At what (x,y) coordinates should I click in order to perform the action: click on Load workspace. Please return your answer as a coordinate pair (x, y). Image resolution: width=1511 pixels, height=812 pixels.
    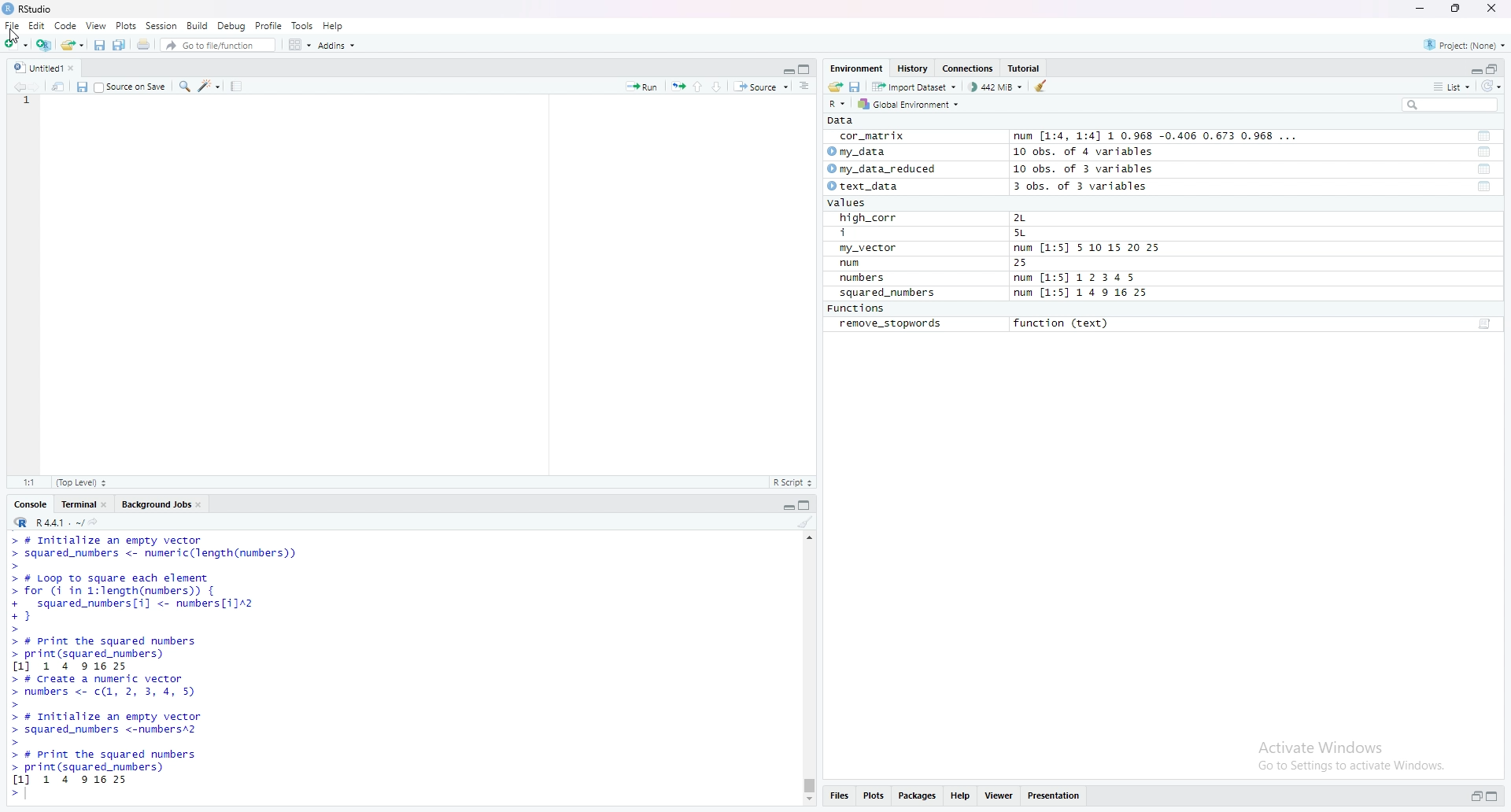
    Looking at the image, I should click on (833, 87).